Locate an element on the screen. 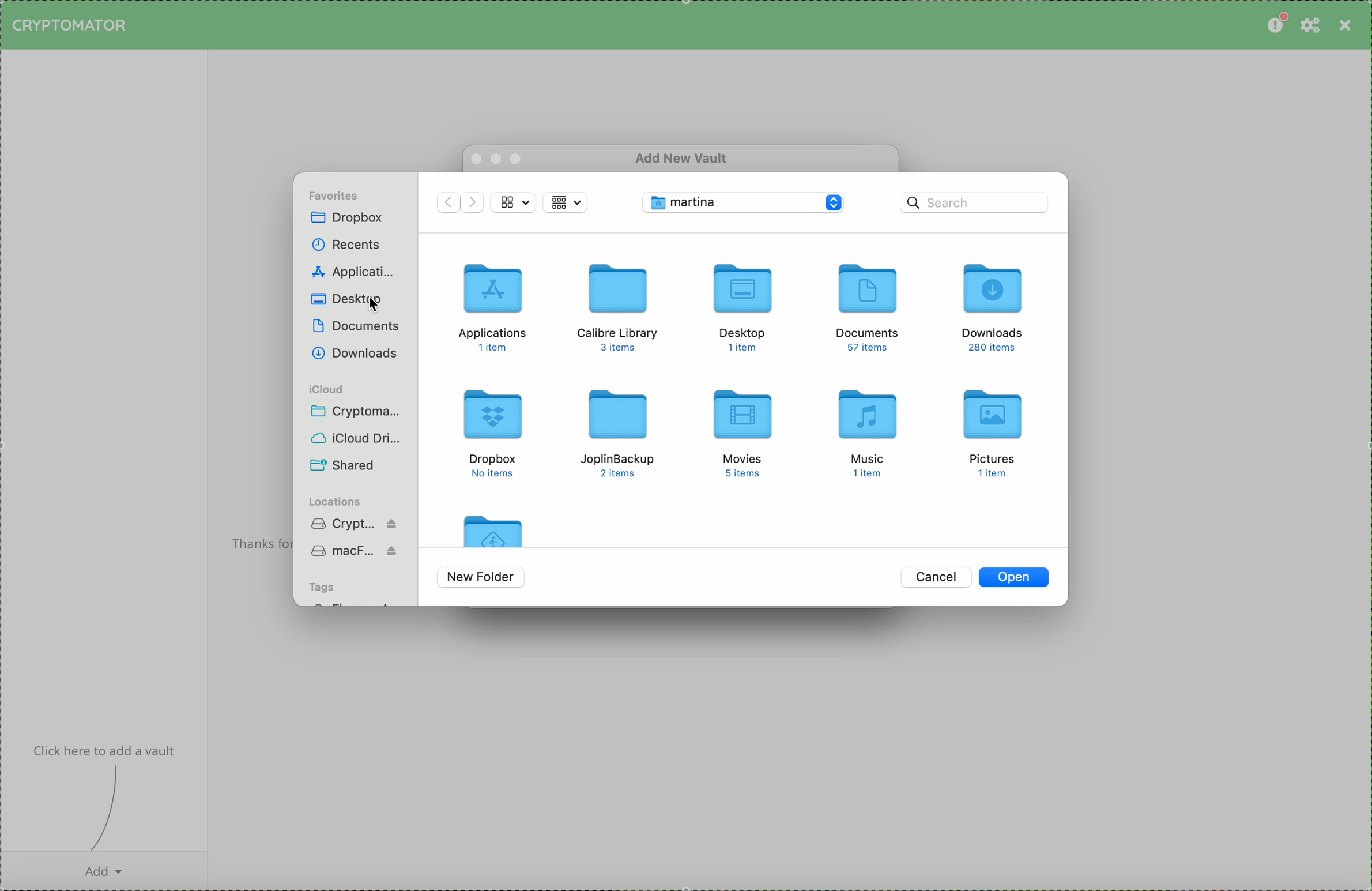  please consider donating is located at coordinates (1276, 24).